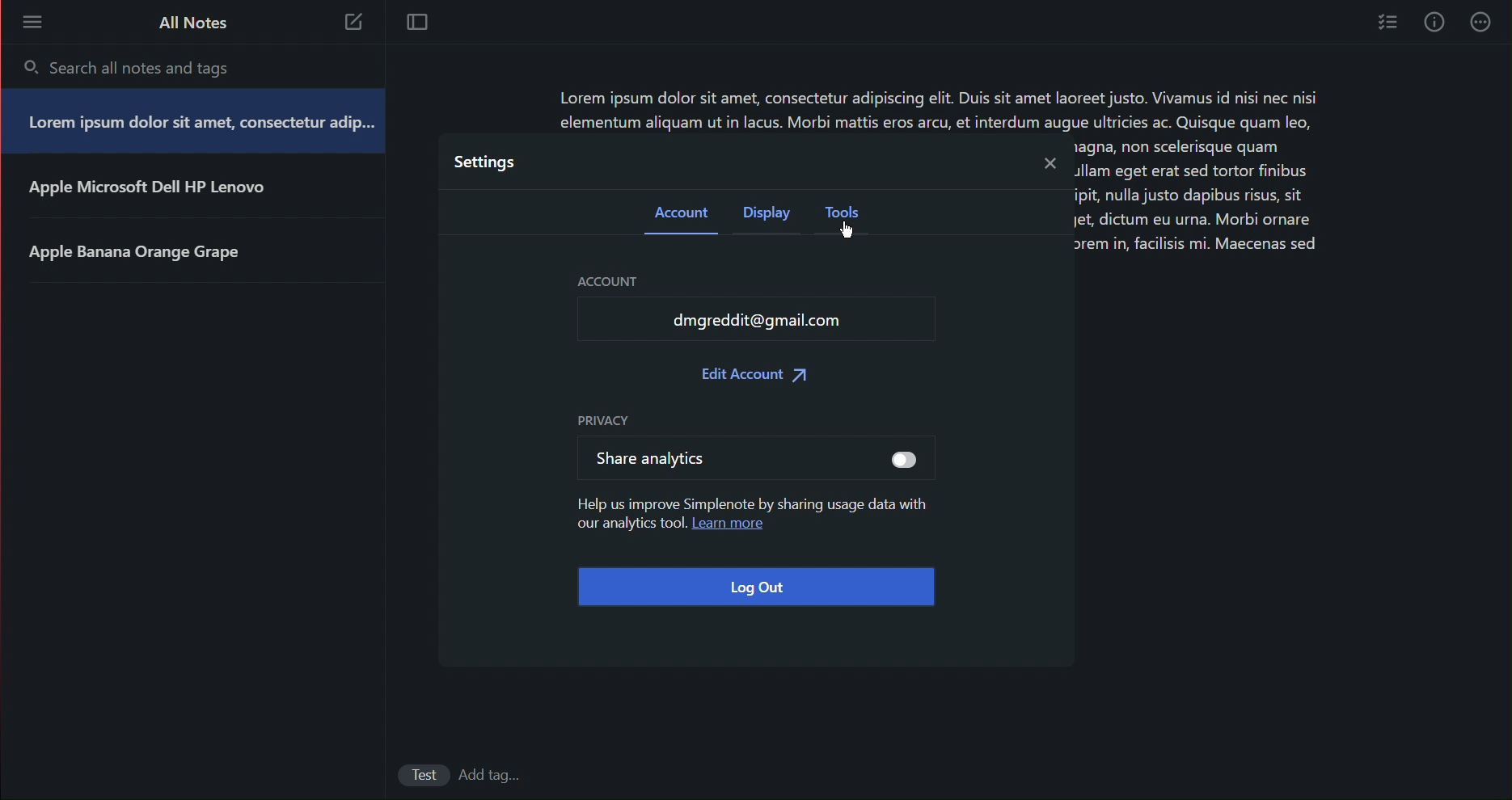  What do you see at coordinates (1047, 162) in the screenshot?
I see `Close` at bounding box center [1047, 162].